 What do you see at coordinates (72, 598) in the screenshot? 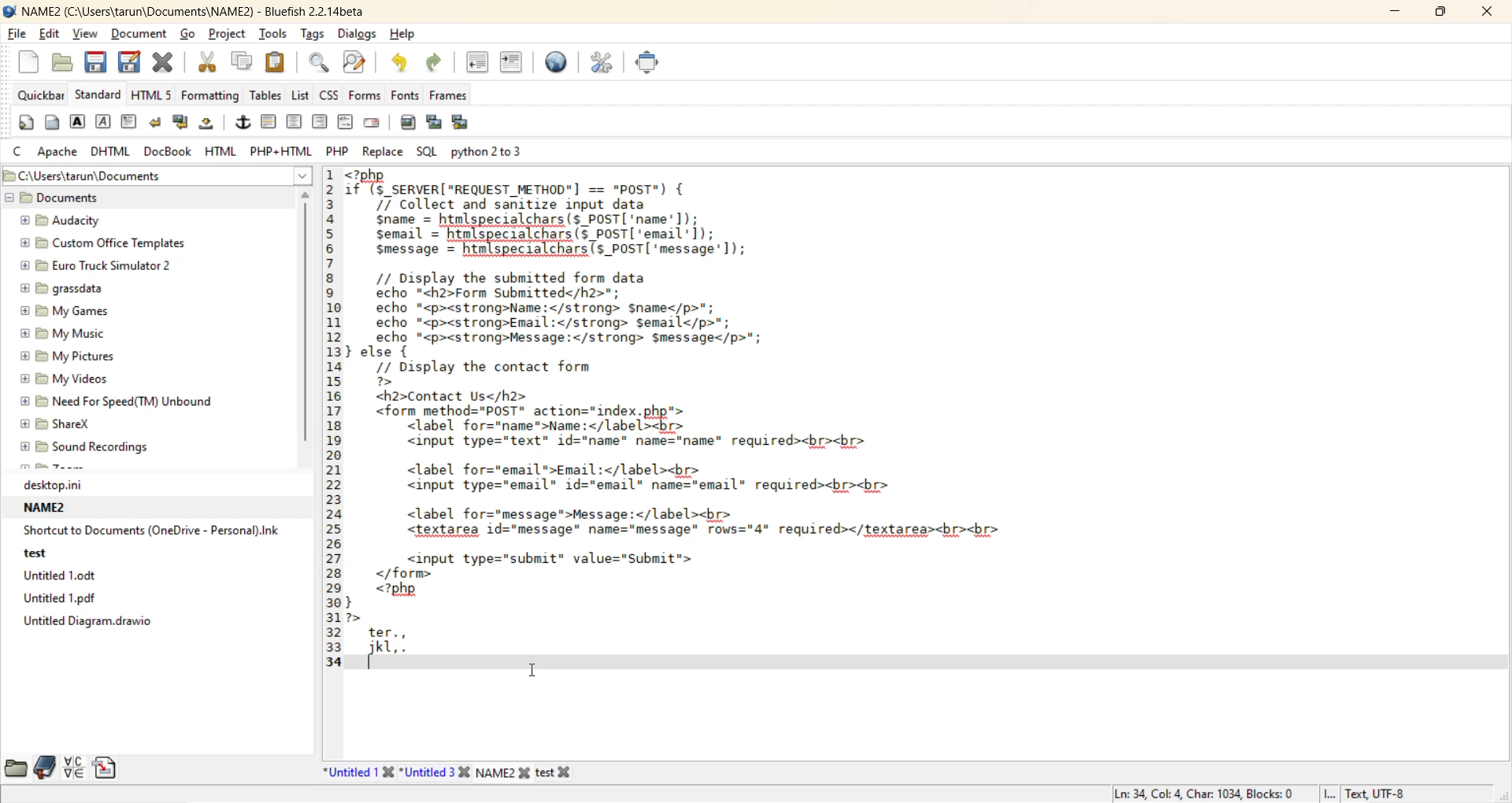
I see `Untitled 1.pdf` at bounding box center [72, 598].